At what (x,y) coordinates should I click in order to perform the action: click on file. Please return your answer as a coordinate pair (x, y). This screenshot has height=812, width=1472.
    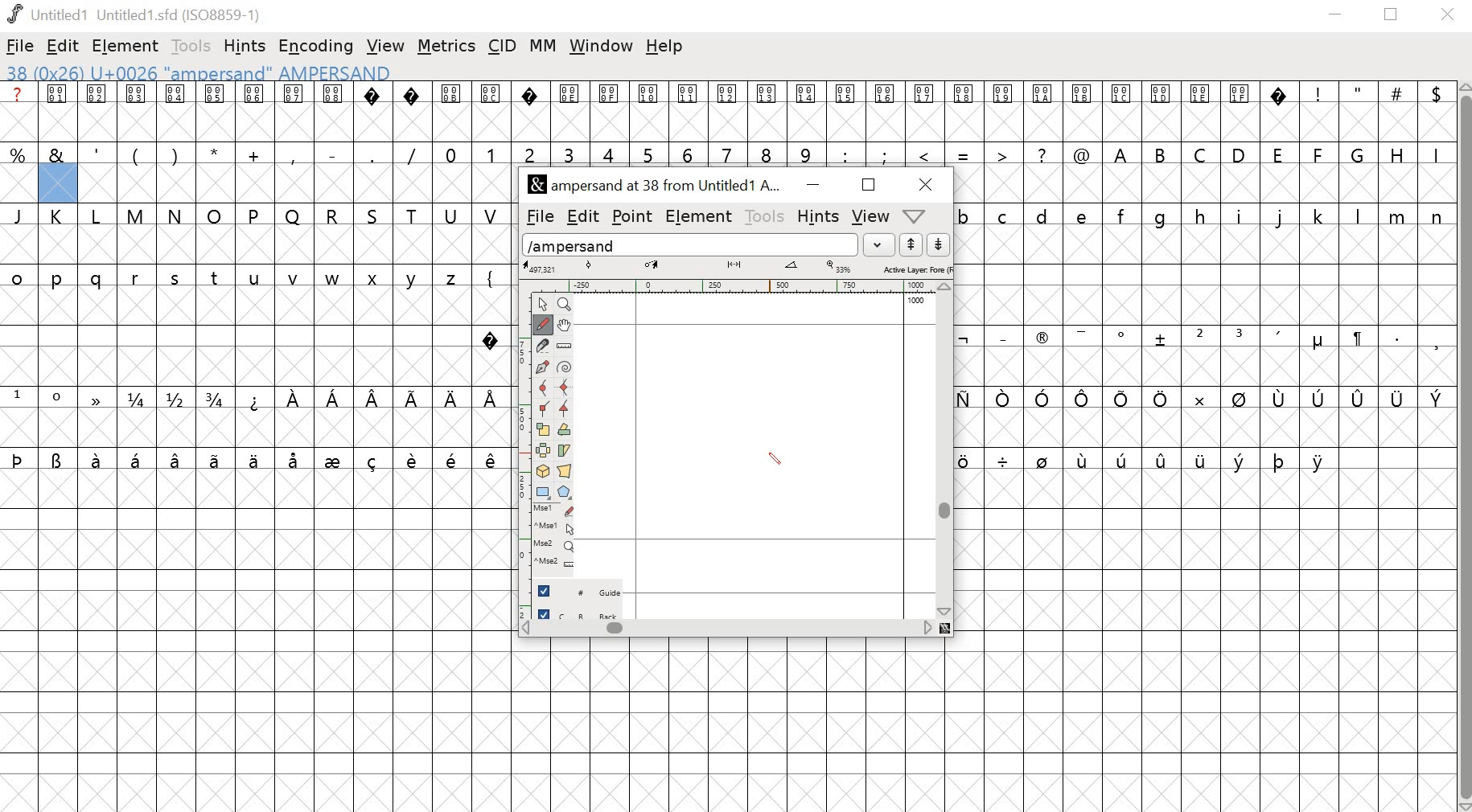
    Looking at the image, I should click on (21, 46).